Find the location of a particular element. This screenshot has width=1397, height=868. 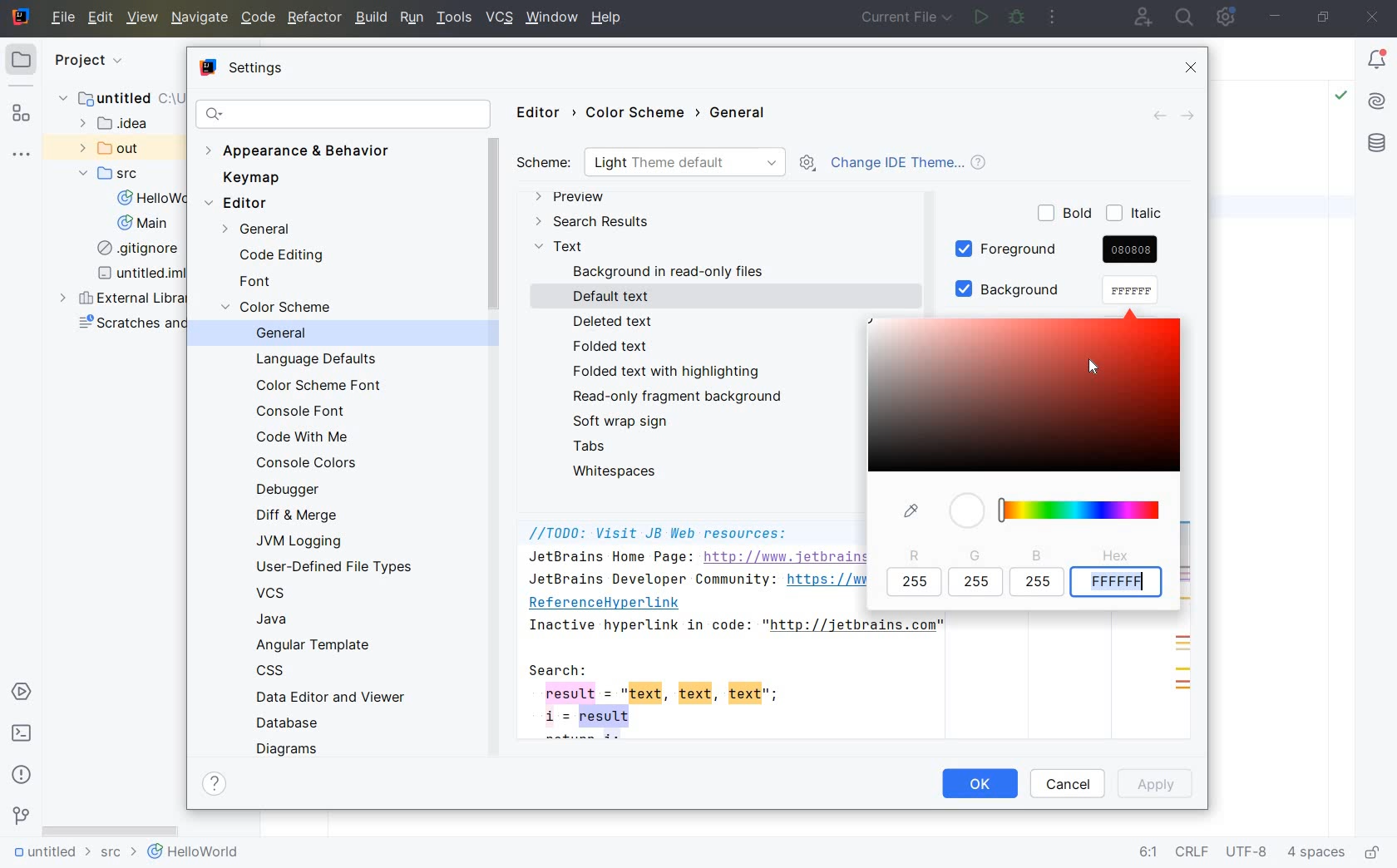

DATA EDITOR AND VIEWER is located at coordinates (328, 698).